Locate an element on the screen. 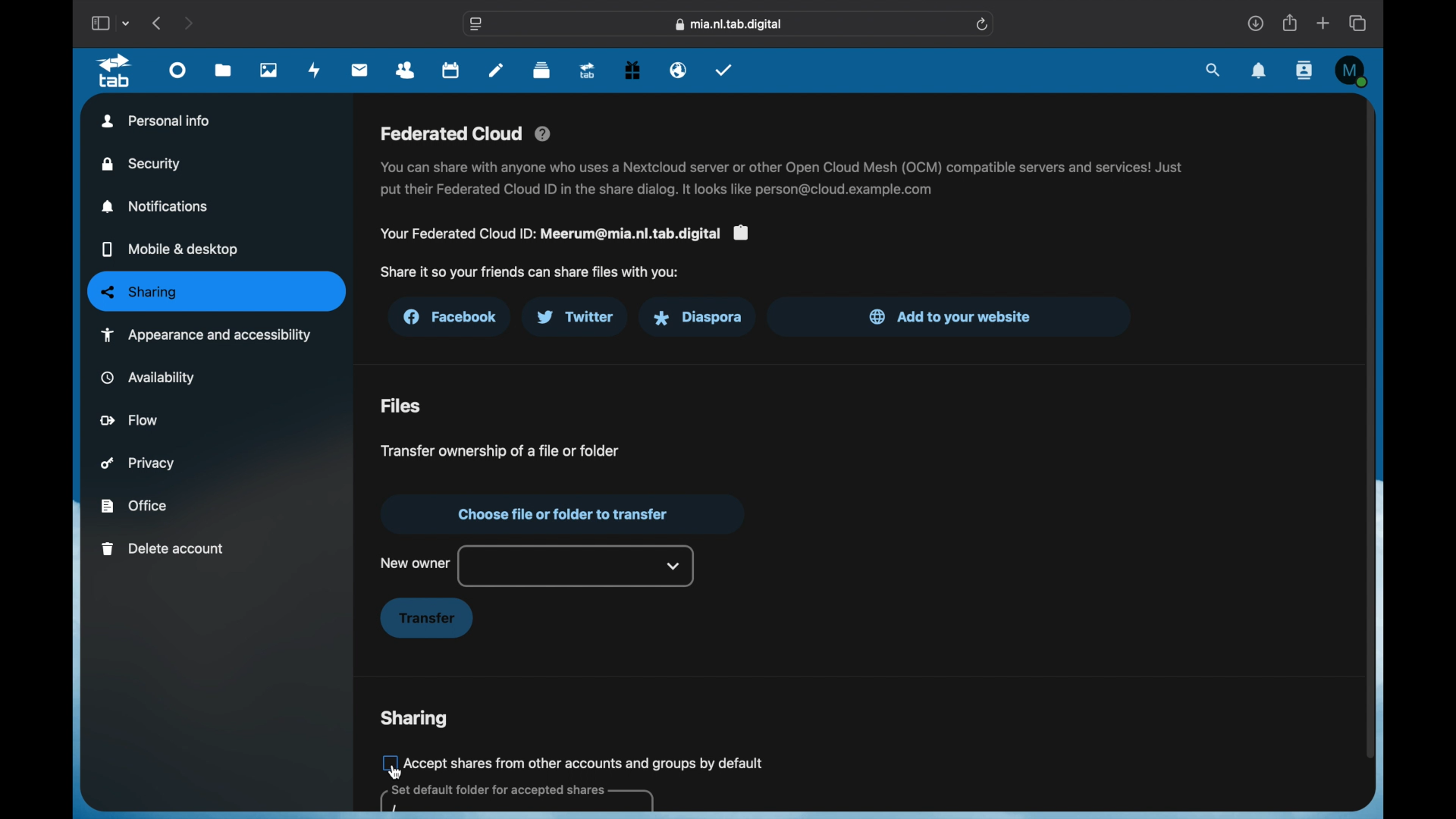 This screenshot has height=819, width=1456. activity is located at coordinates (317, 71).